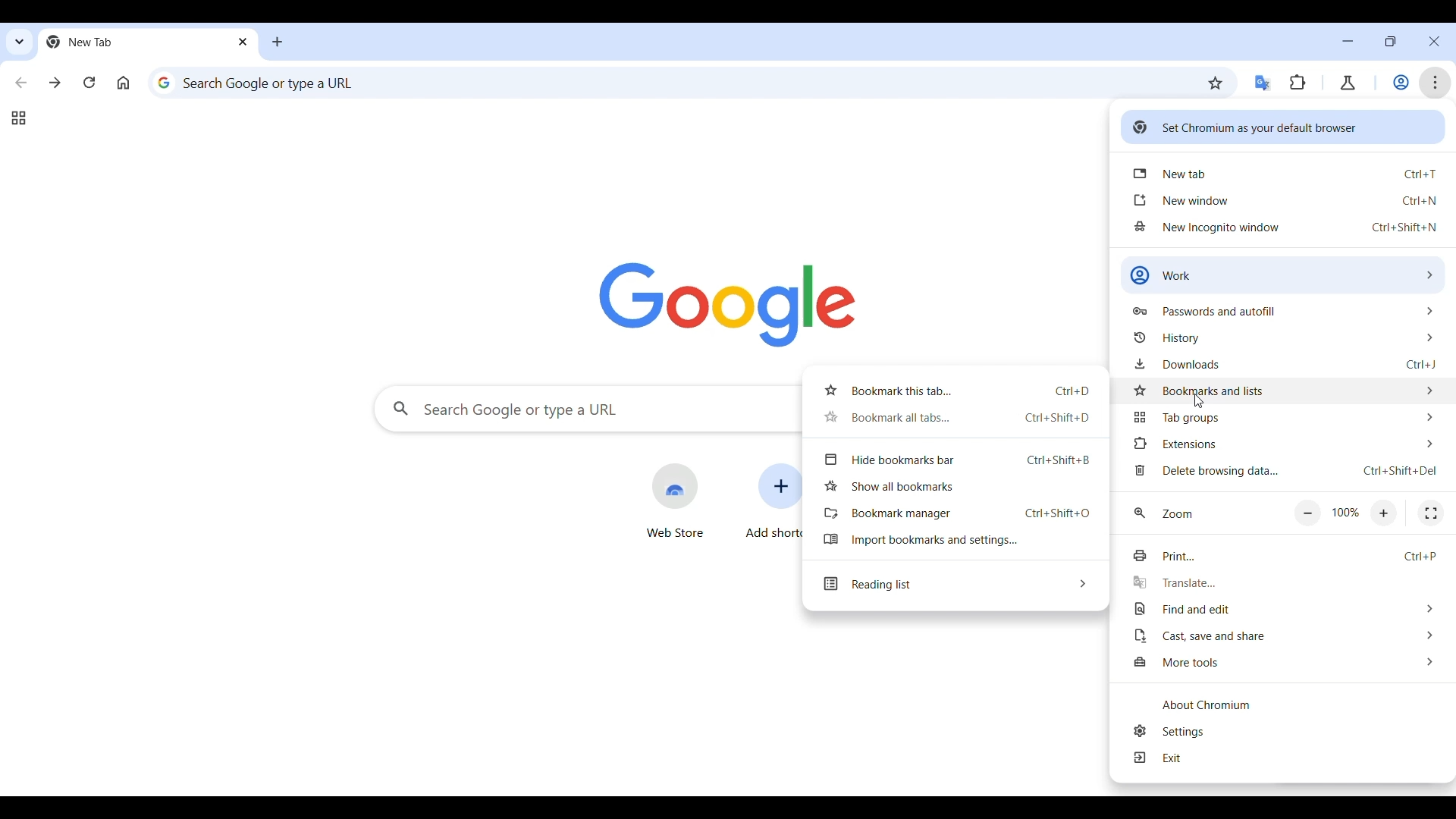  What do you see at coordinates (955, 485) in the screenshot?
I see `Show all bookmarks` at bounding box center [955, 485].